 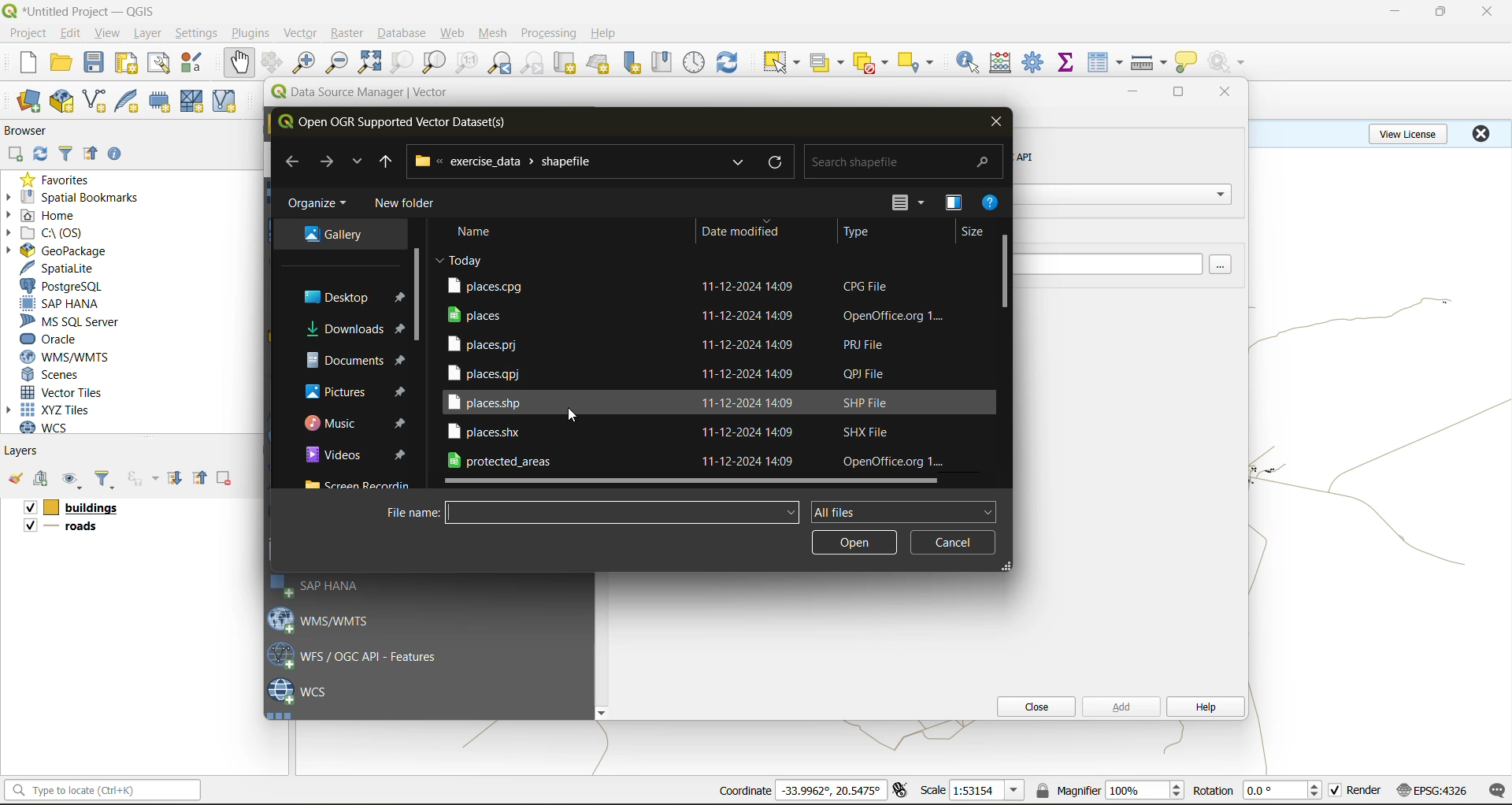 I want to click on checkbox, so click(x=28, y=525).